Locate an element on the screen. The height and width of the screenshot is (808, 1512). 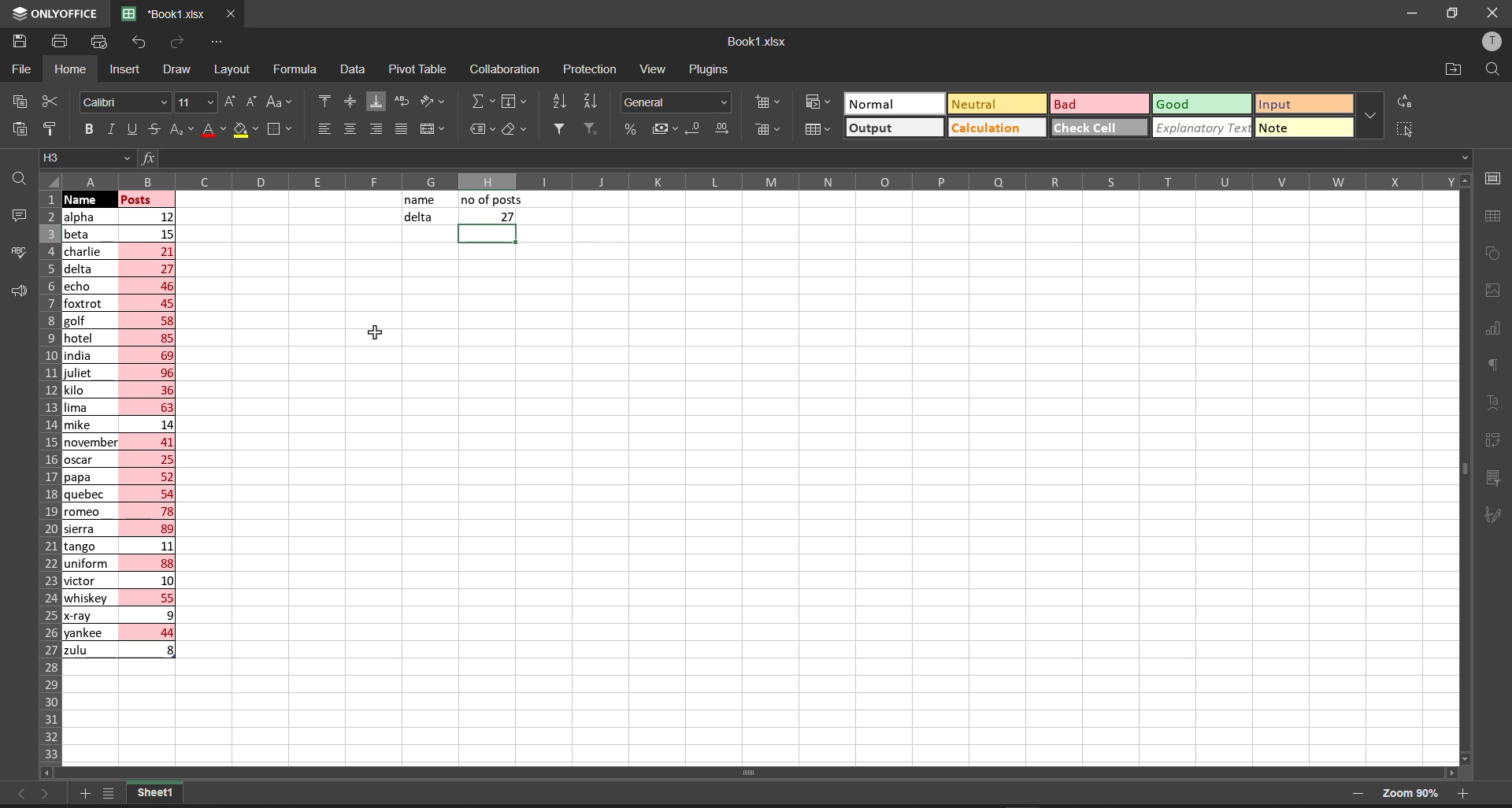
align center is located at coordinates (348, 130).